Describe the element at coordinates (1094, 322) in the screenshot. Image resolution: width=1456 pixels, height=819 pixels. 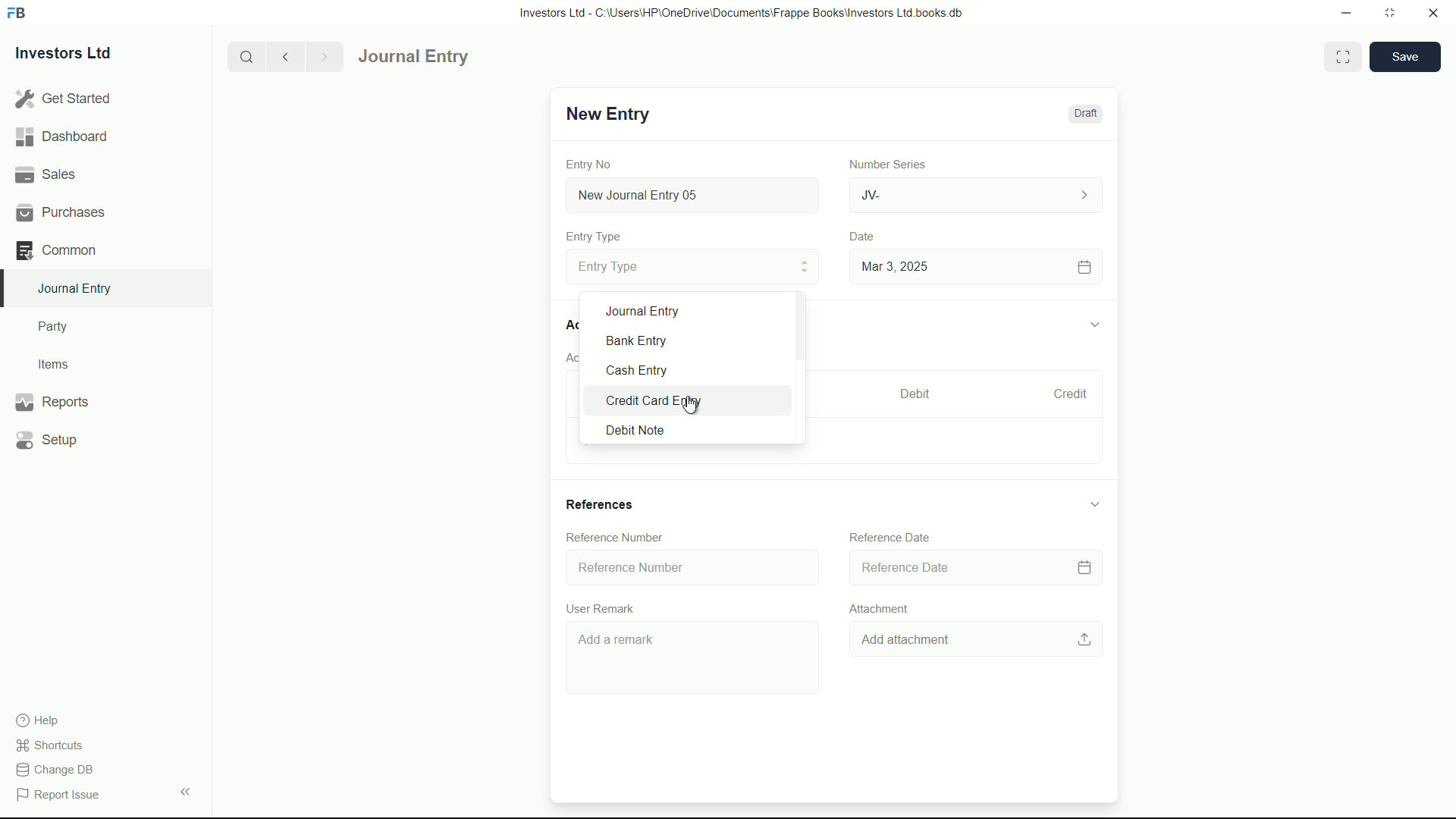
I see `expand/collapse` at that location.